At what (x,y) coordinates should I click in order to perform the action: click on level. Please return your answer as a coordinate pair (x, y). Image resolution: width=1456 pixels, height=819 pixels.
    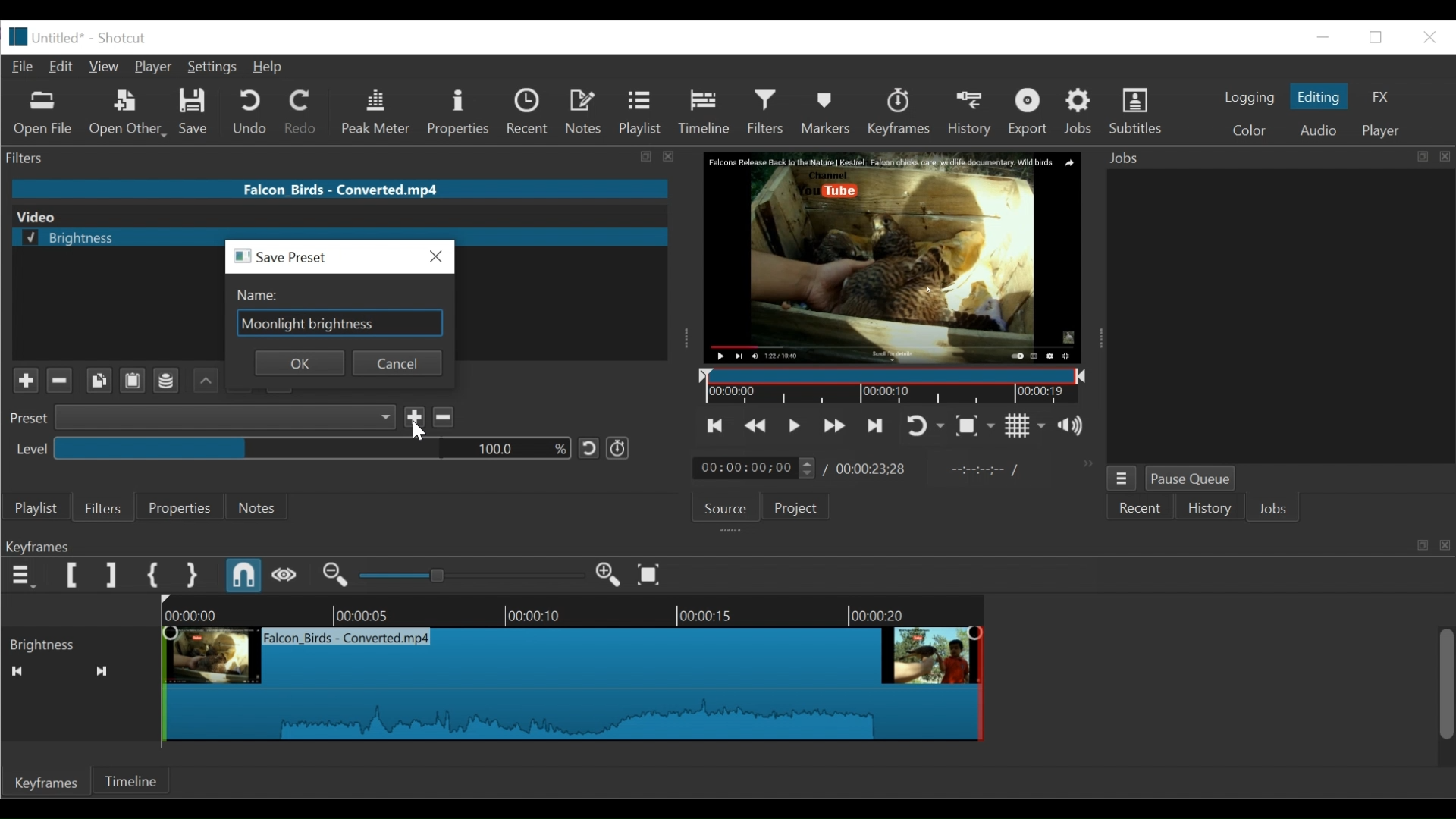
    Looking at the image, I should click on (26, 448).